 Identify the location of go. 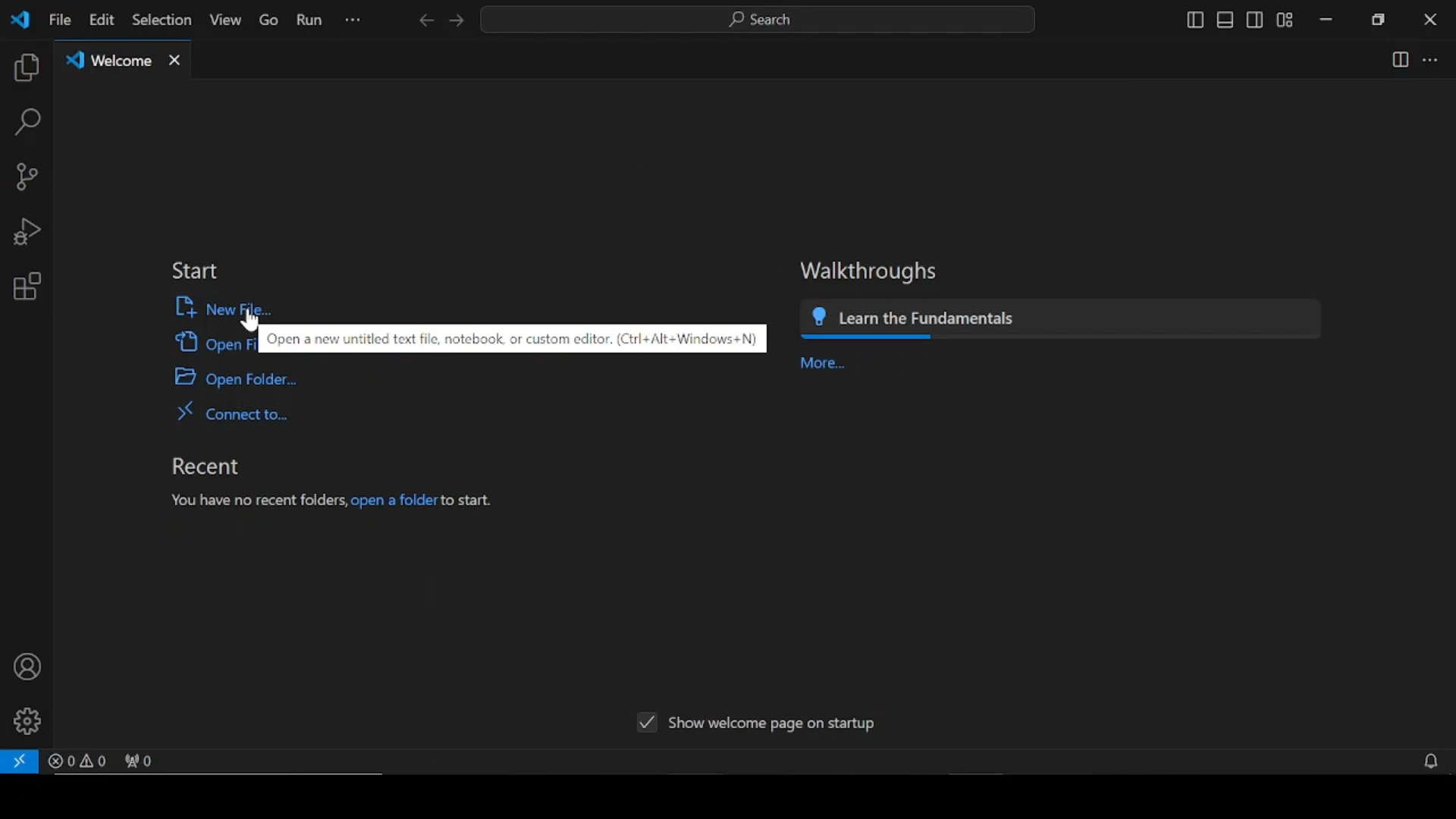
(270, 20).